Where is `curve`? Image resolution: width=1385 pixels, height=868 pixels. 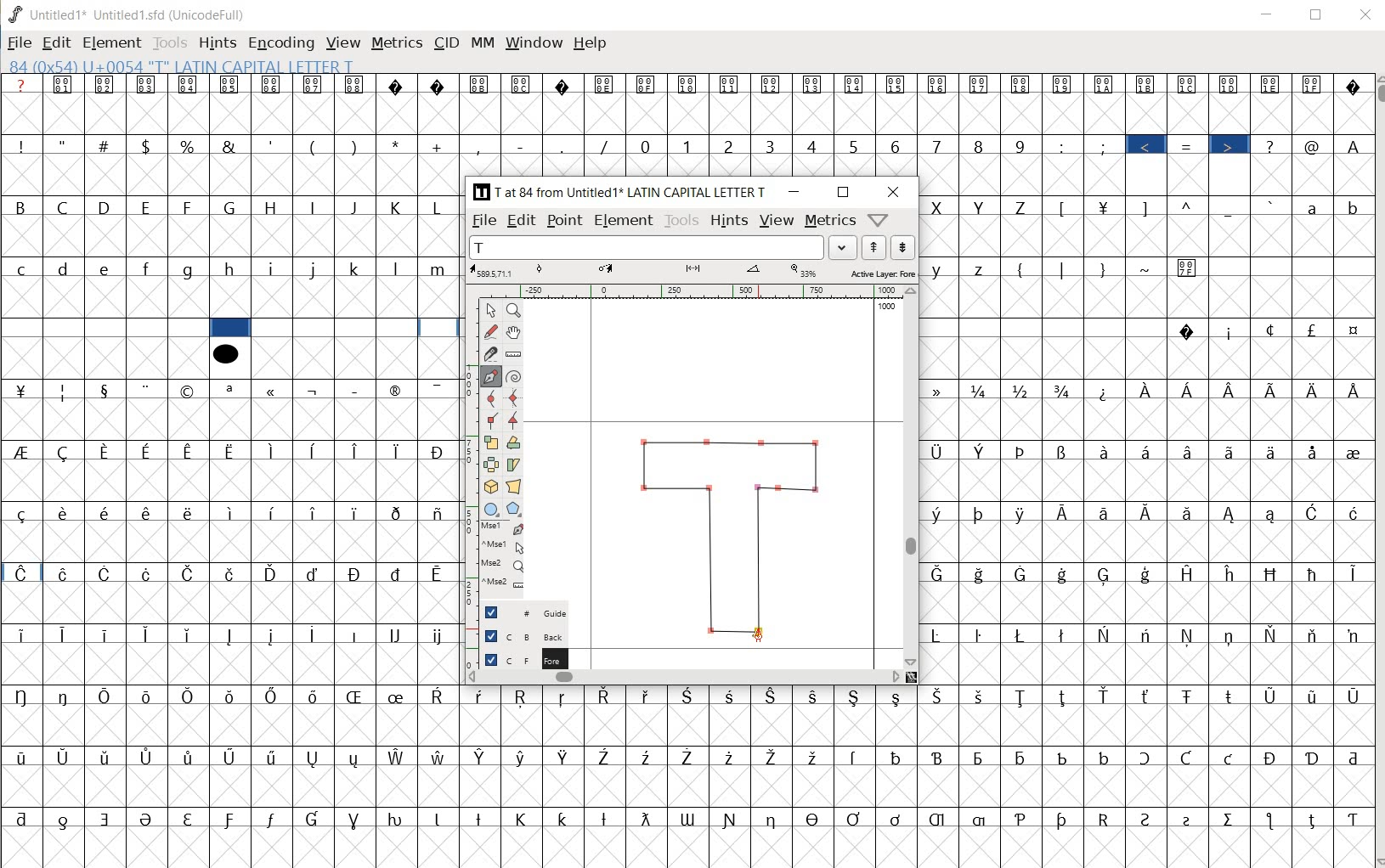
curve is located at coordinates (490, 399).